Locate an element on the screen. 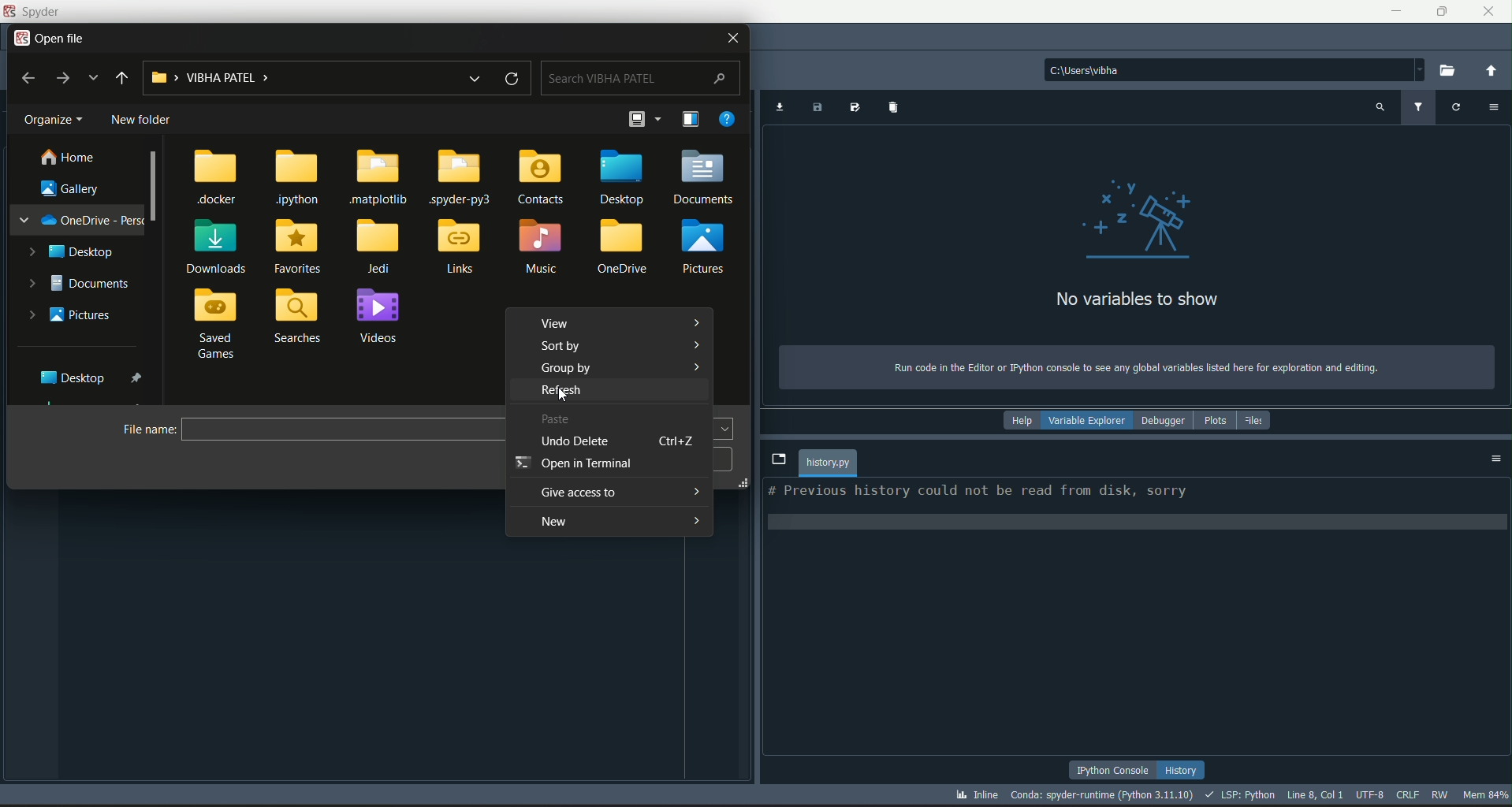 This screenshot has width=1512, height=807. history is located at coordinates (1183, 768).